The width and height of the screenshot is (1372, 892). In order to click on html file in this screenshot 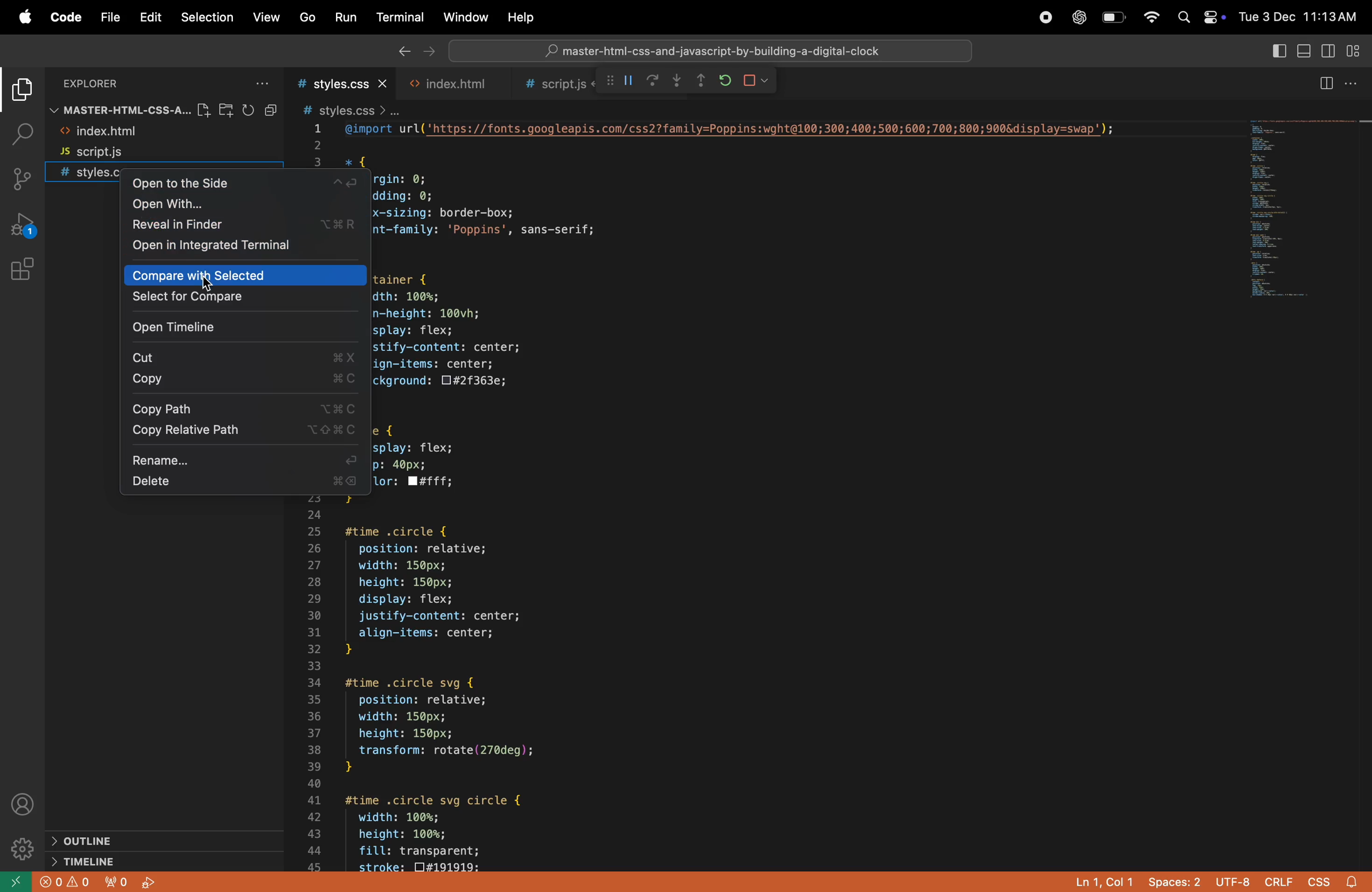, I will do `click(126, 134)`.